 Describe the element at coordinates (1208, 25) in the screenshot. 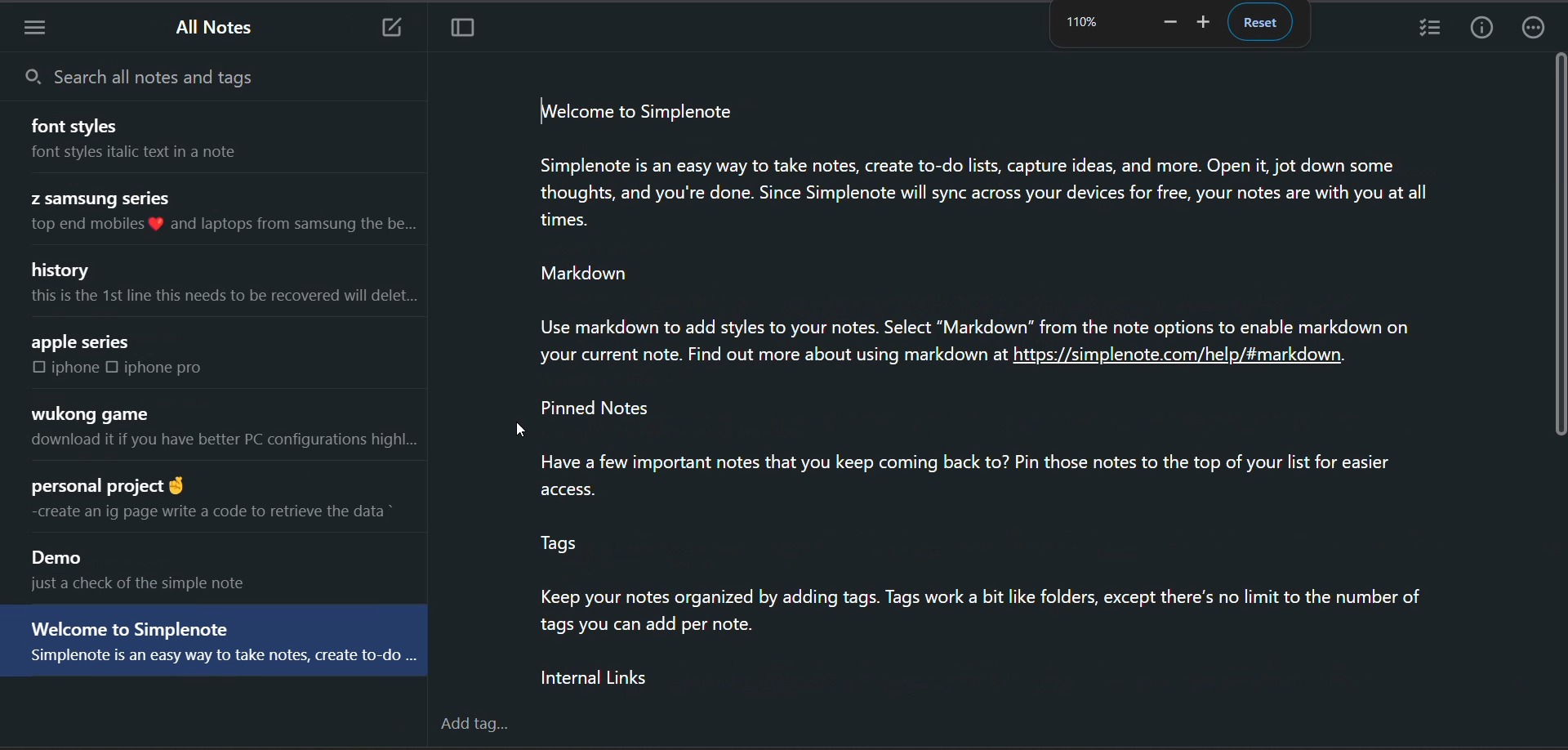

I see `zoom in` at that location.